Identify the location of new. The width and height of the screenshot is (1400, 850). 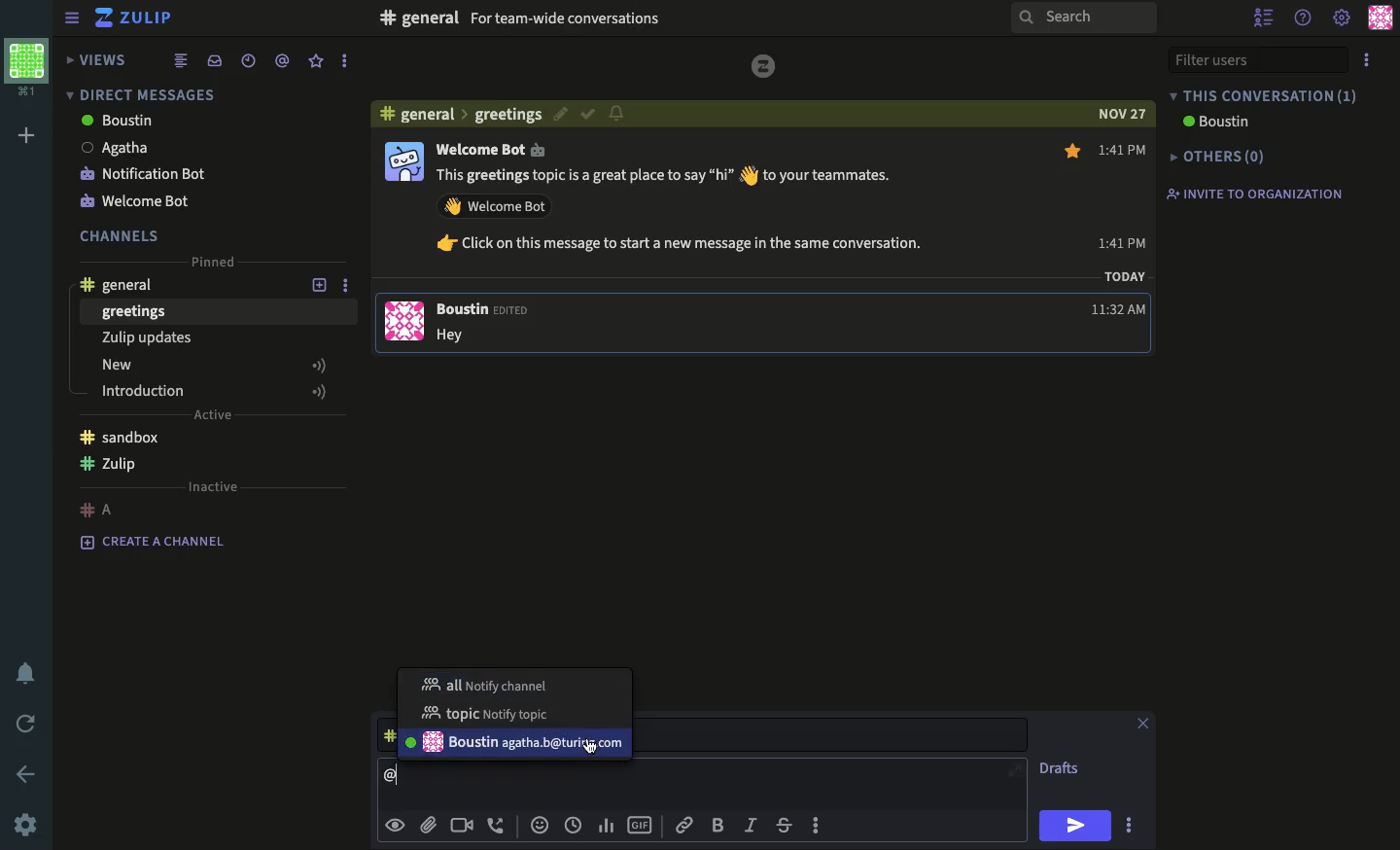
(213, 365).